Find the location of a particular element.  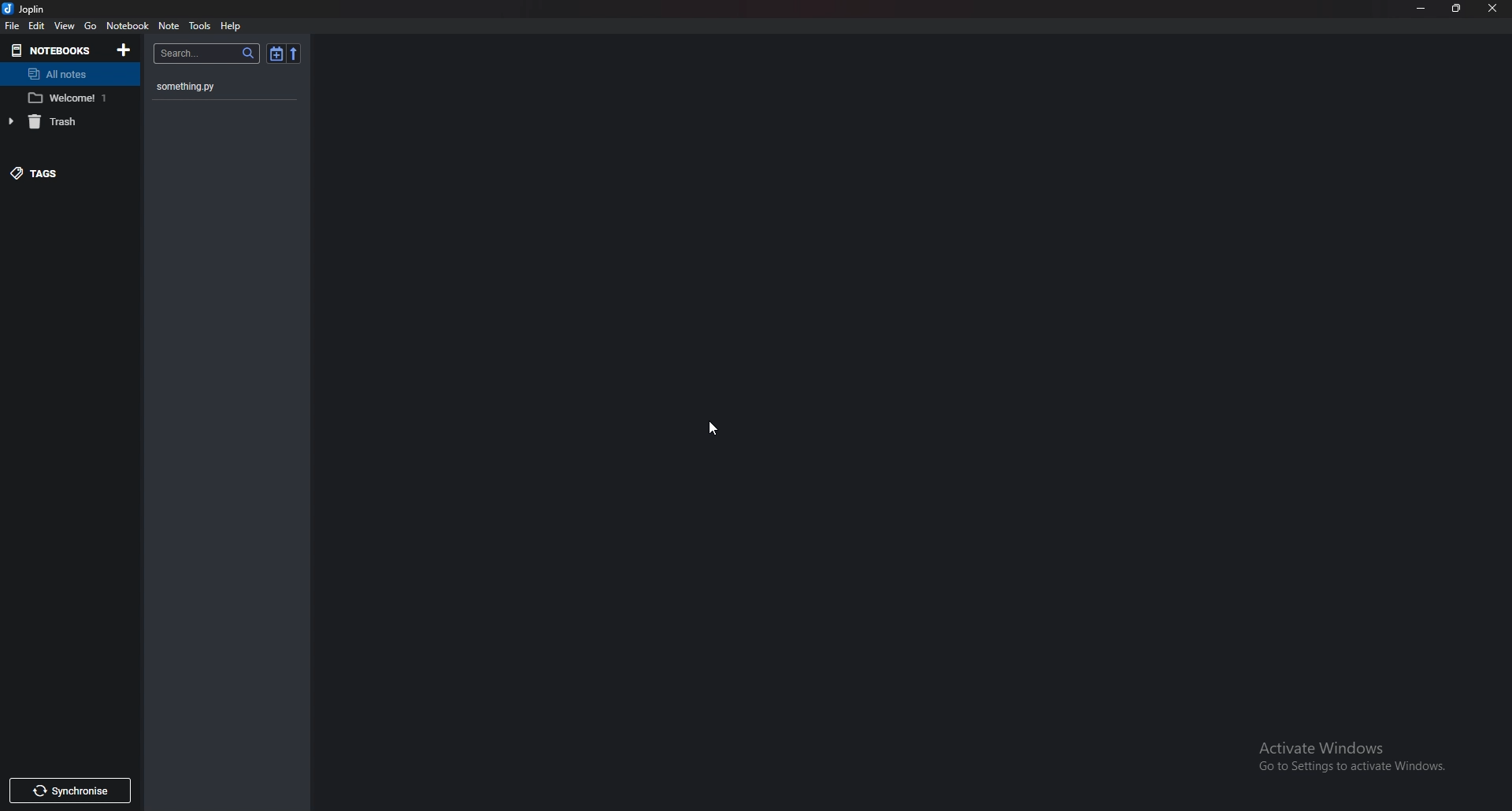

Toggle sort order is located at coordinates (276, 54).